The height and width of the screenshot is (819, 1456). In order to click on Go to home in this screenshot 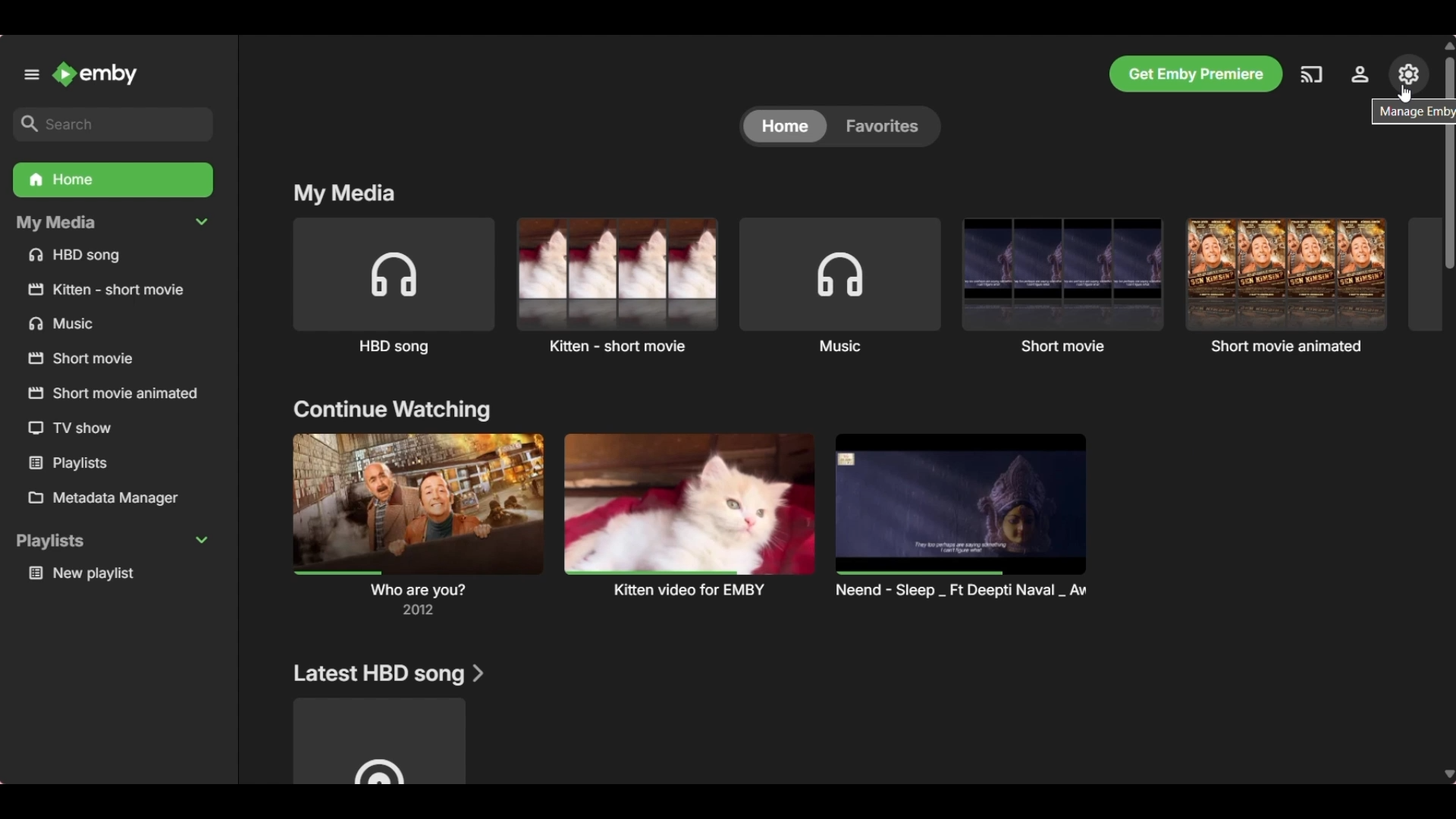, I will do `click(96, 75)`.